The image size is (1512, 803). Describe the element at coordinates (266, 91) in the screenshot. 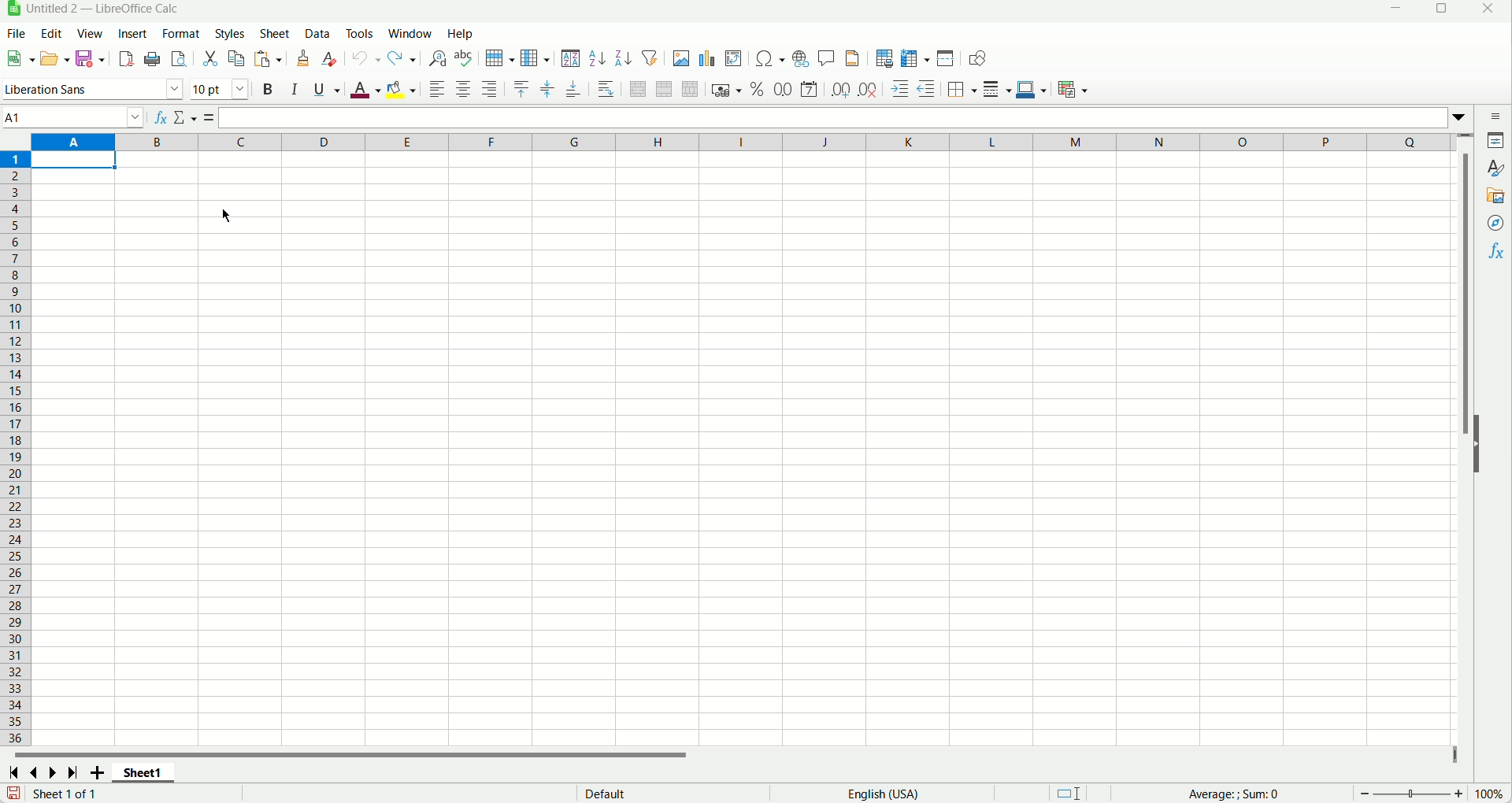

I see `Bold` at that location.